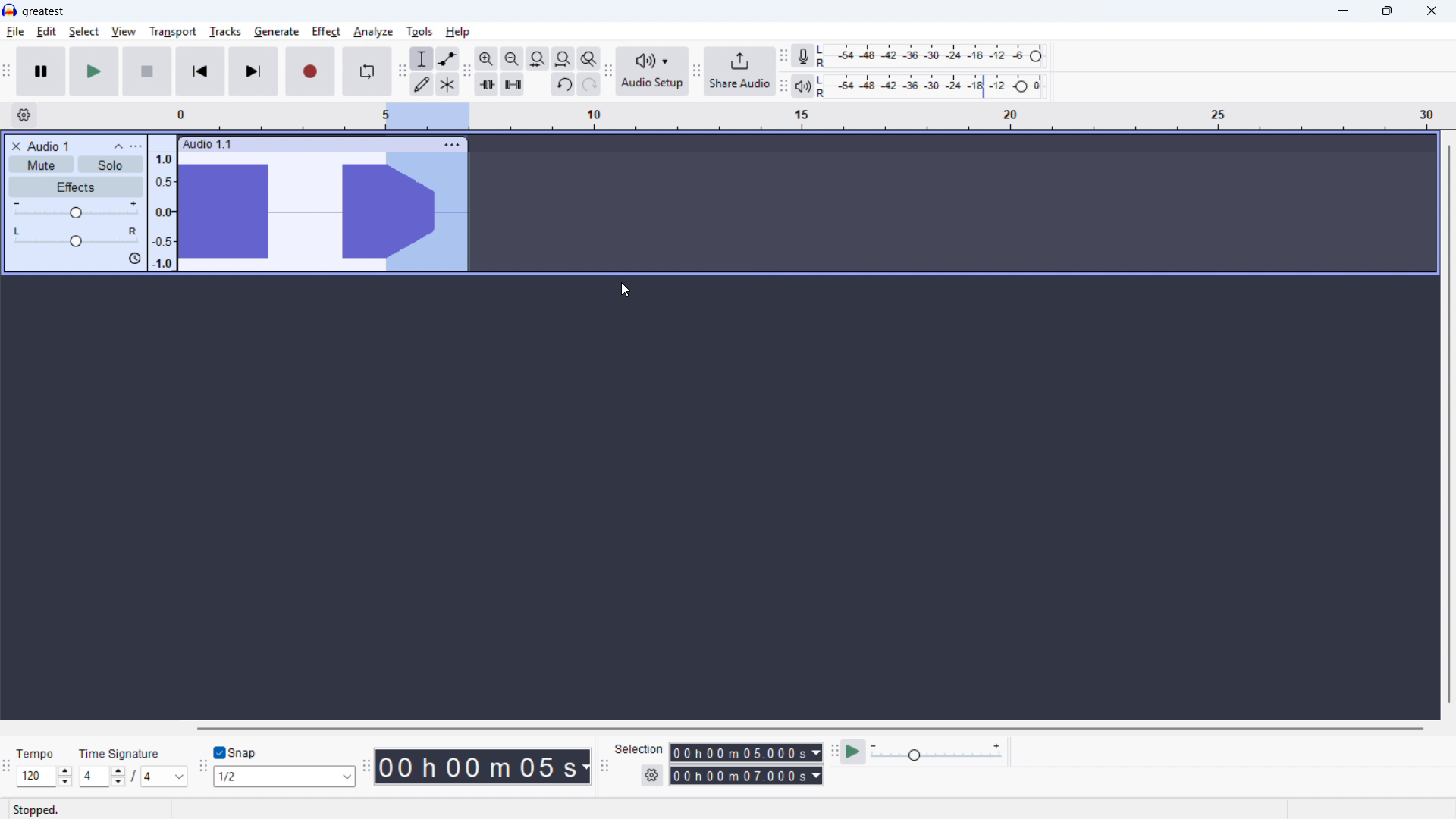 The image size is (1456, 819). What do you see at coordinates (802, 86) in the screenshot?
I see `Playback metre ` at bounding box center [802, 86].